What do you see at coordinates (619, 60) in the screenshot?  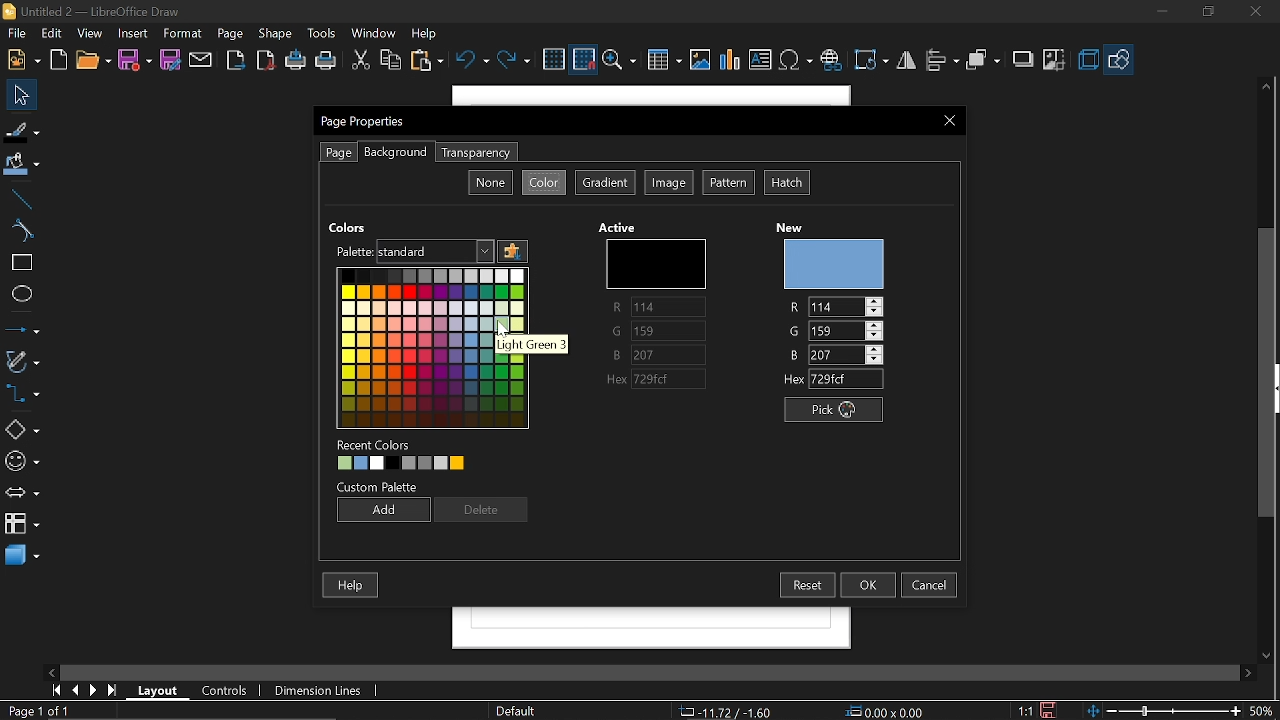 I see `Zoom` at bounding box center [619, 60].